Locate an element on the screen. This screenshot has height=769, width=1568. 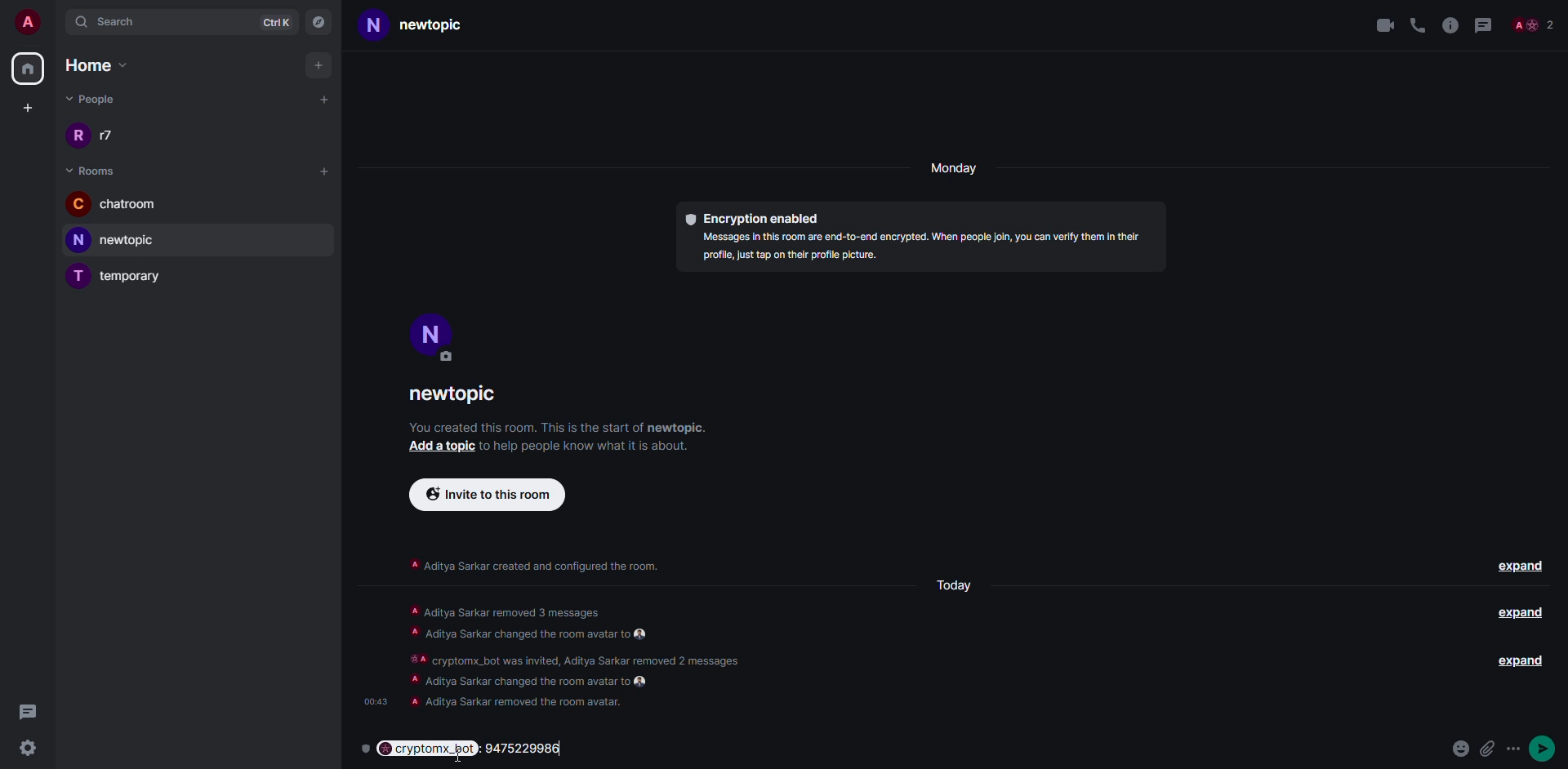
more is located at coordinates (1550, 751).